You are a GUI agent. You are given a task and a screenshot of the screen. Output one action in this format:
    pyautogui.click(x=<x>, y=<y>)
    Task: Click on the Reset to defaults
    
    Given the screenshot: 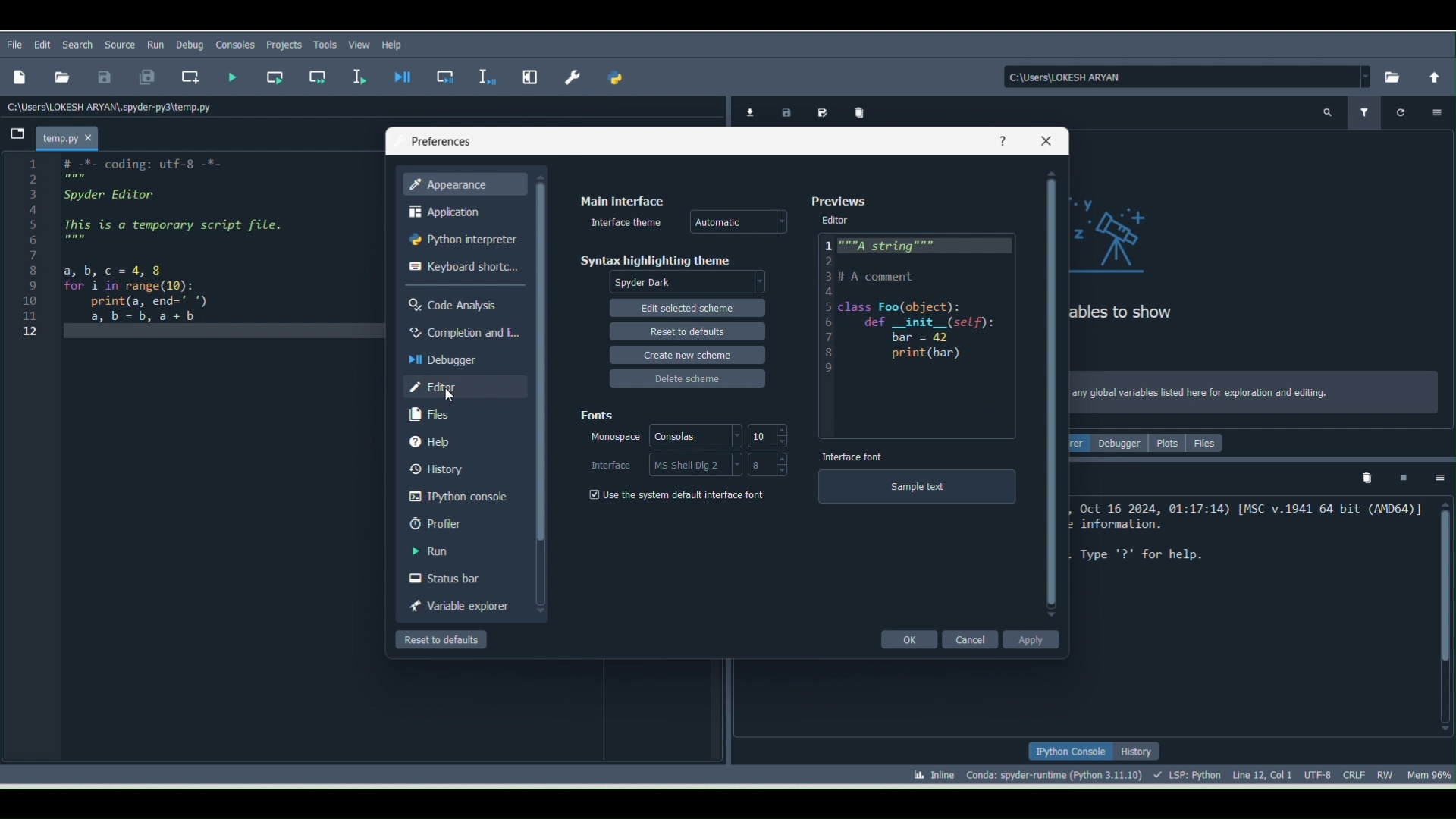 What is the action you would take?
    pyautogui.click(x=437, y=639)
    